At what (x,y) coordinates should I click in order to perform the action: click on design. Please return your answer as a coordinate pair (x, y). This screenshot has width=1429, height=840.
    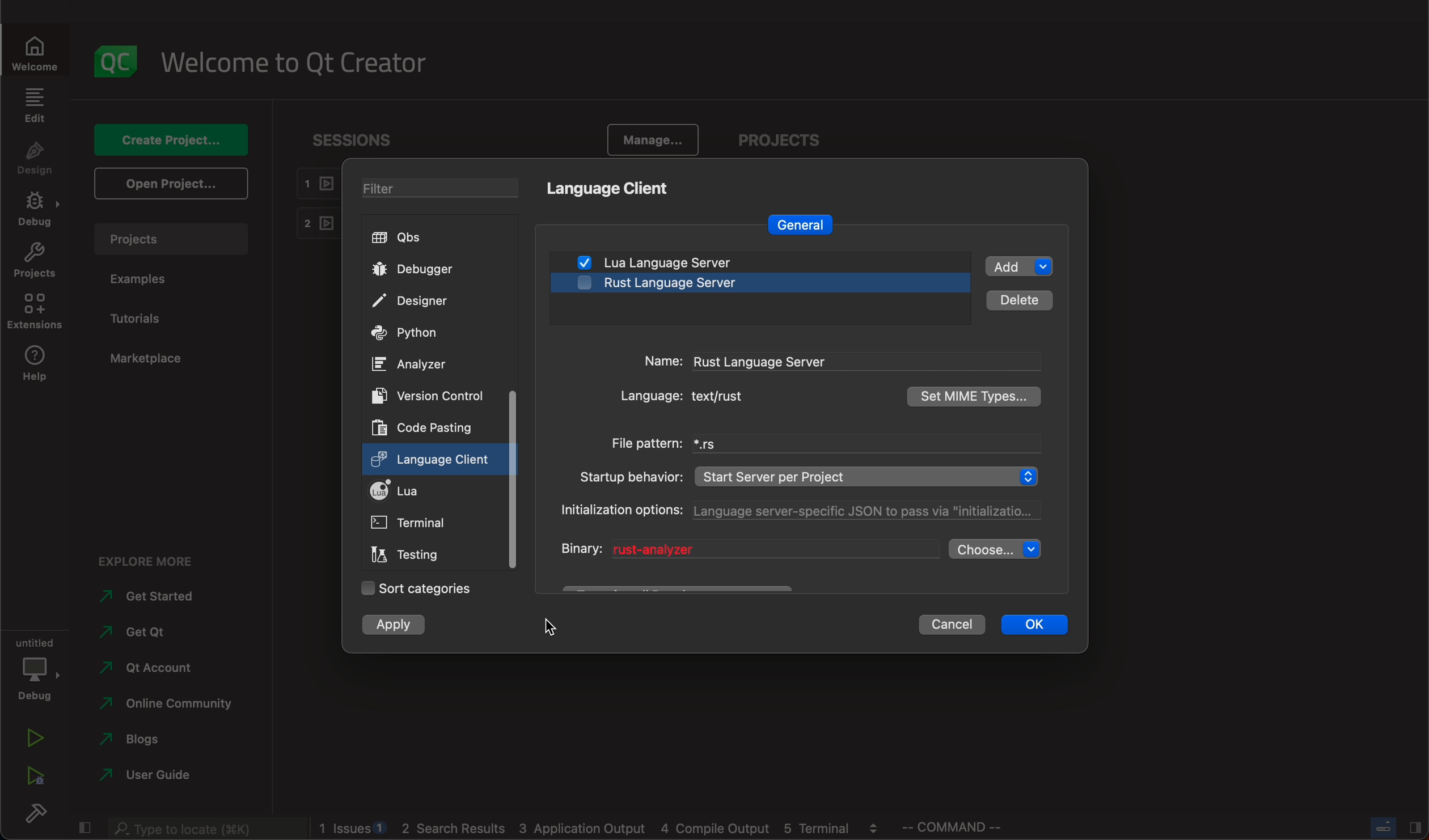
    Looking at the image, I should click on (36, 159).